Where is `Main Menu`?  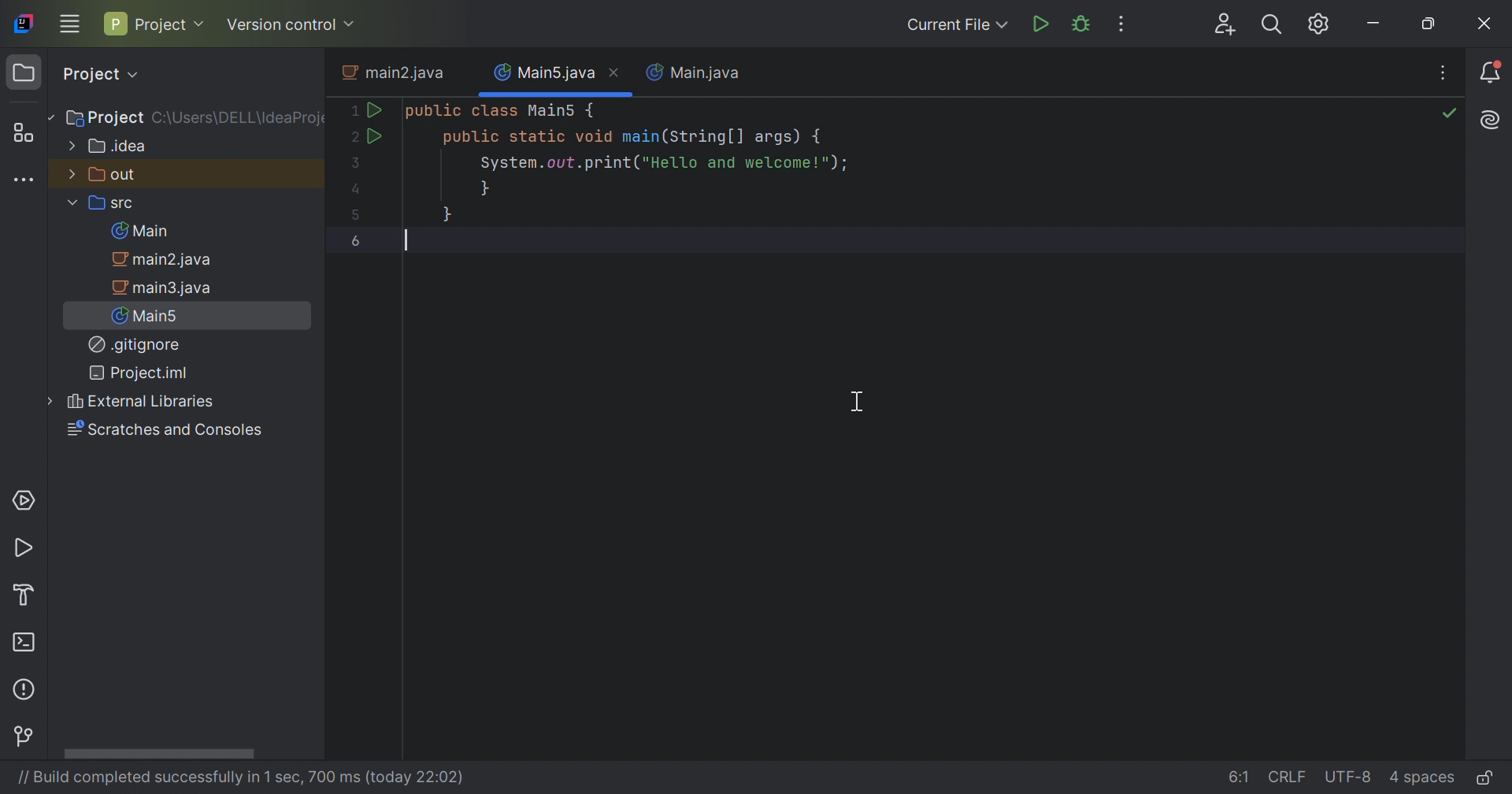 Main Menu is located at coordinates (69, 22).